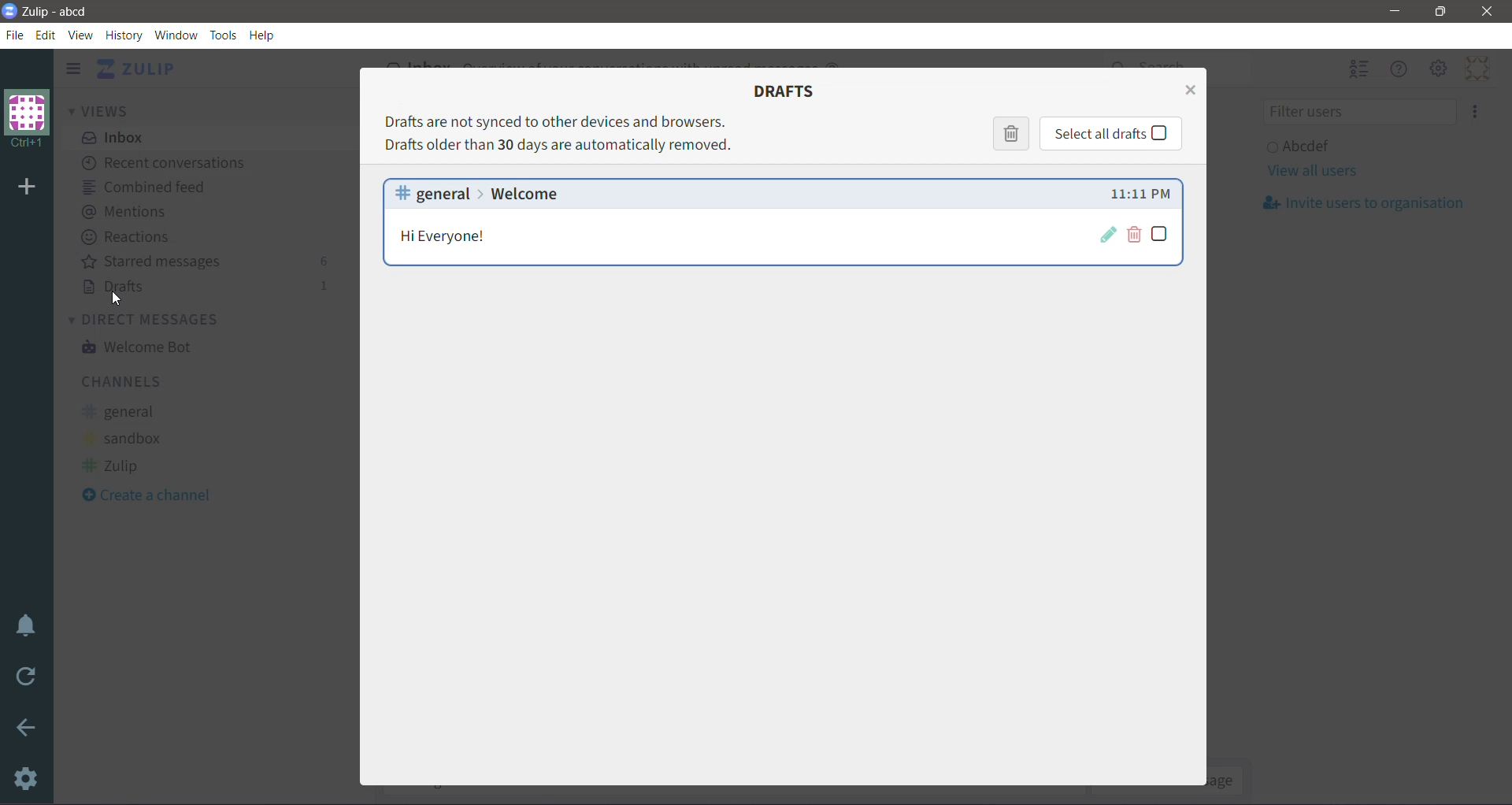  Describe the element at coordinates (128, 440) in the screenshot. I see `sandbox` at that location.